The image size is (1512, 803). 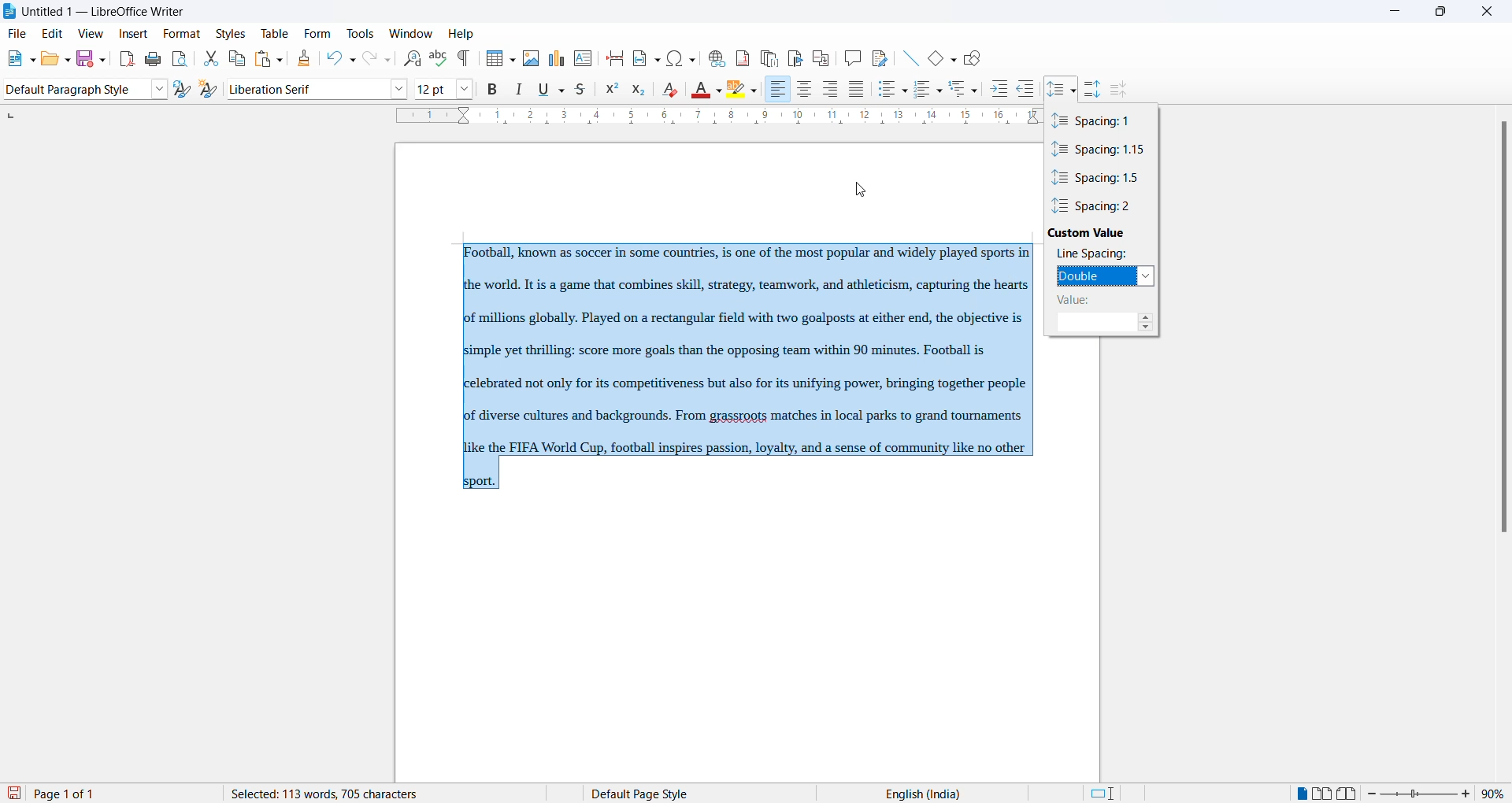 What do you see at coordinates (82, 57) in the screenshot?
I see `save` at bounding box center [82, 57].